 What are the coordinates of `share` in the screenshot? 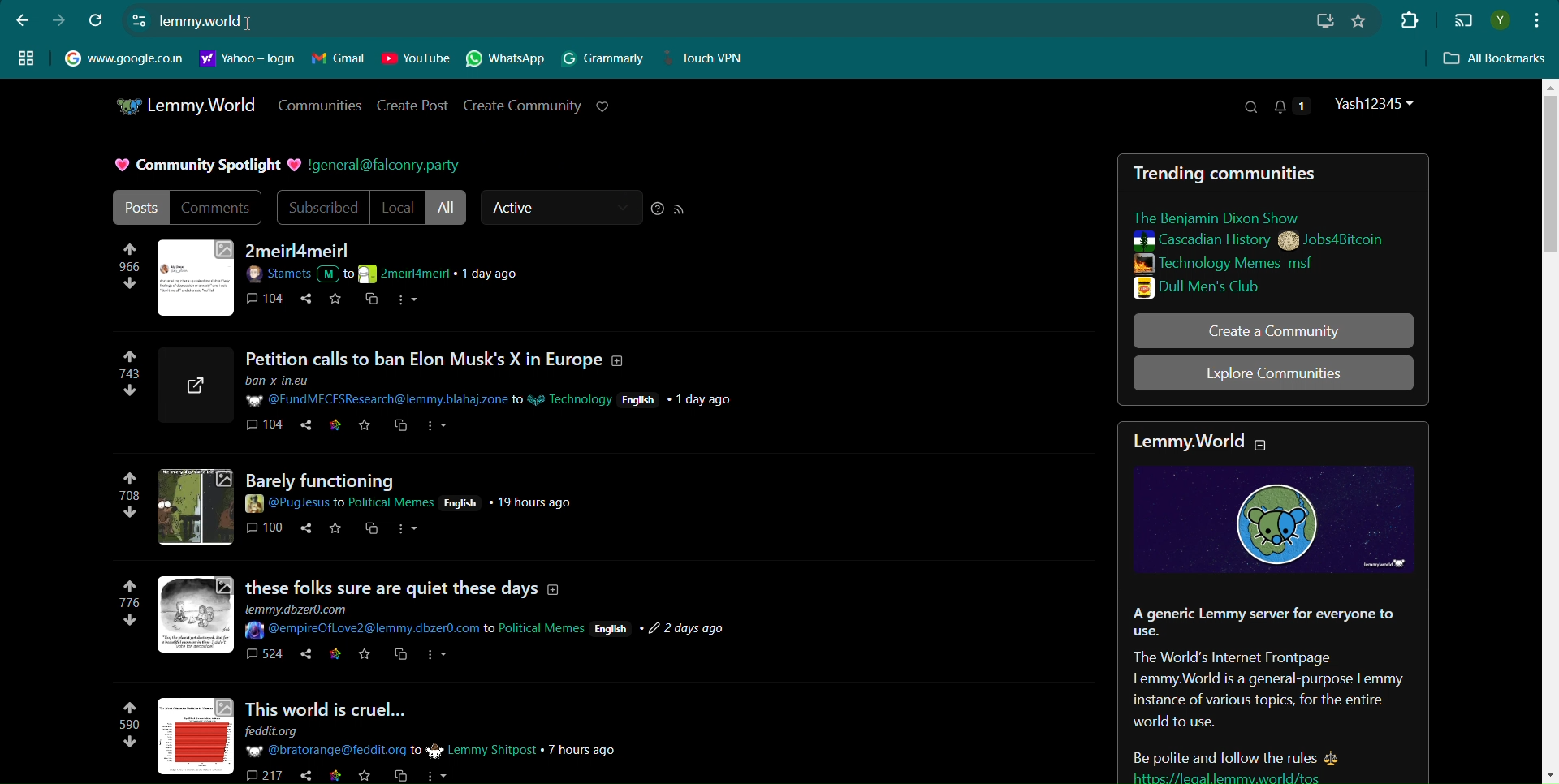 It's located at (306, 302).